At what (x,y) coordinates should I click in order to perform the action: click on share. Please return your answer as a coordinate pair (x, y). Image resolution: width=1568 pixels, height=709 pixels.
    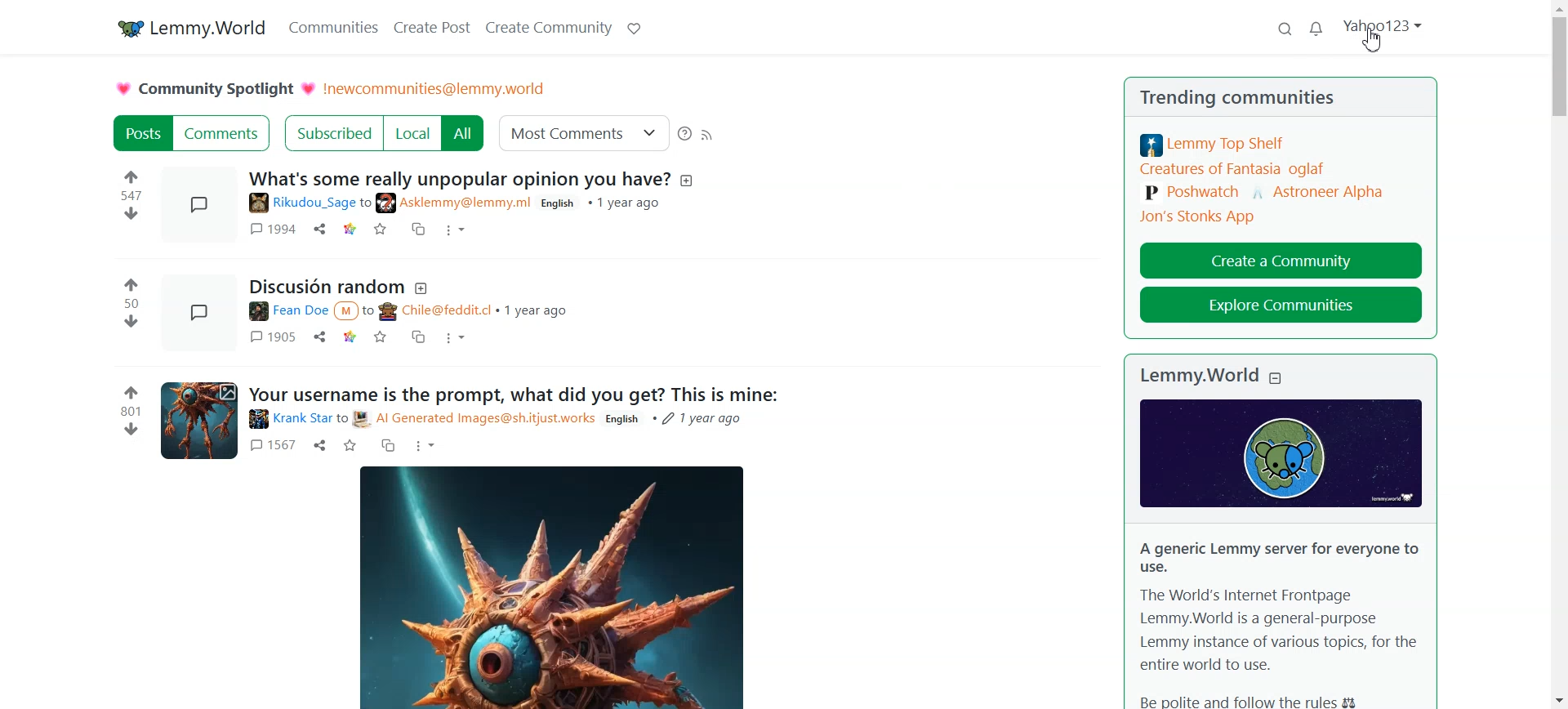
    Looking at the image, I should click on (321, 445).